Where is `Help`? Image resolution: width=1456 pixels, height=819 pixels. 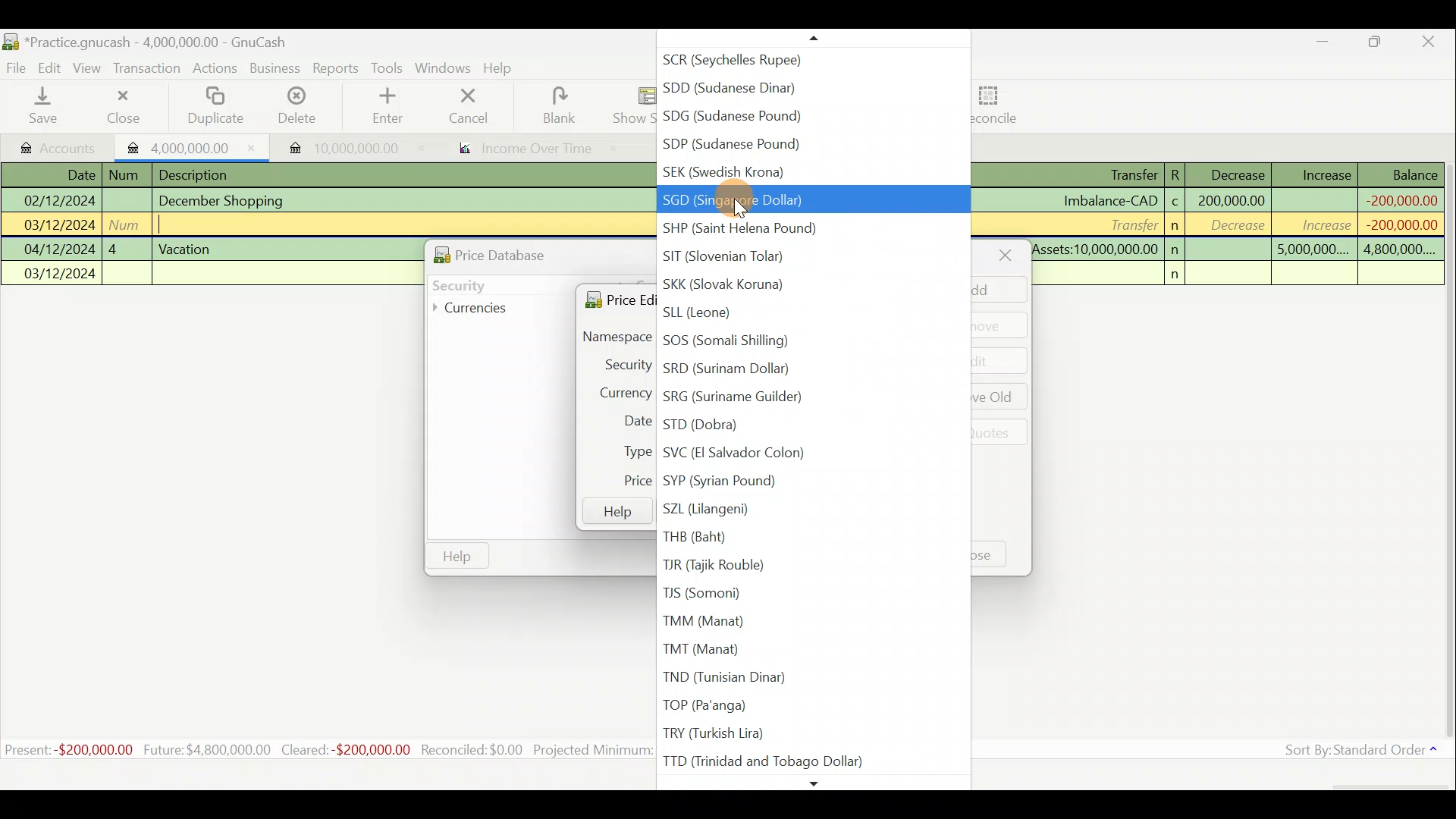
Help is located at coordinates (504, 70).